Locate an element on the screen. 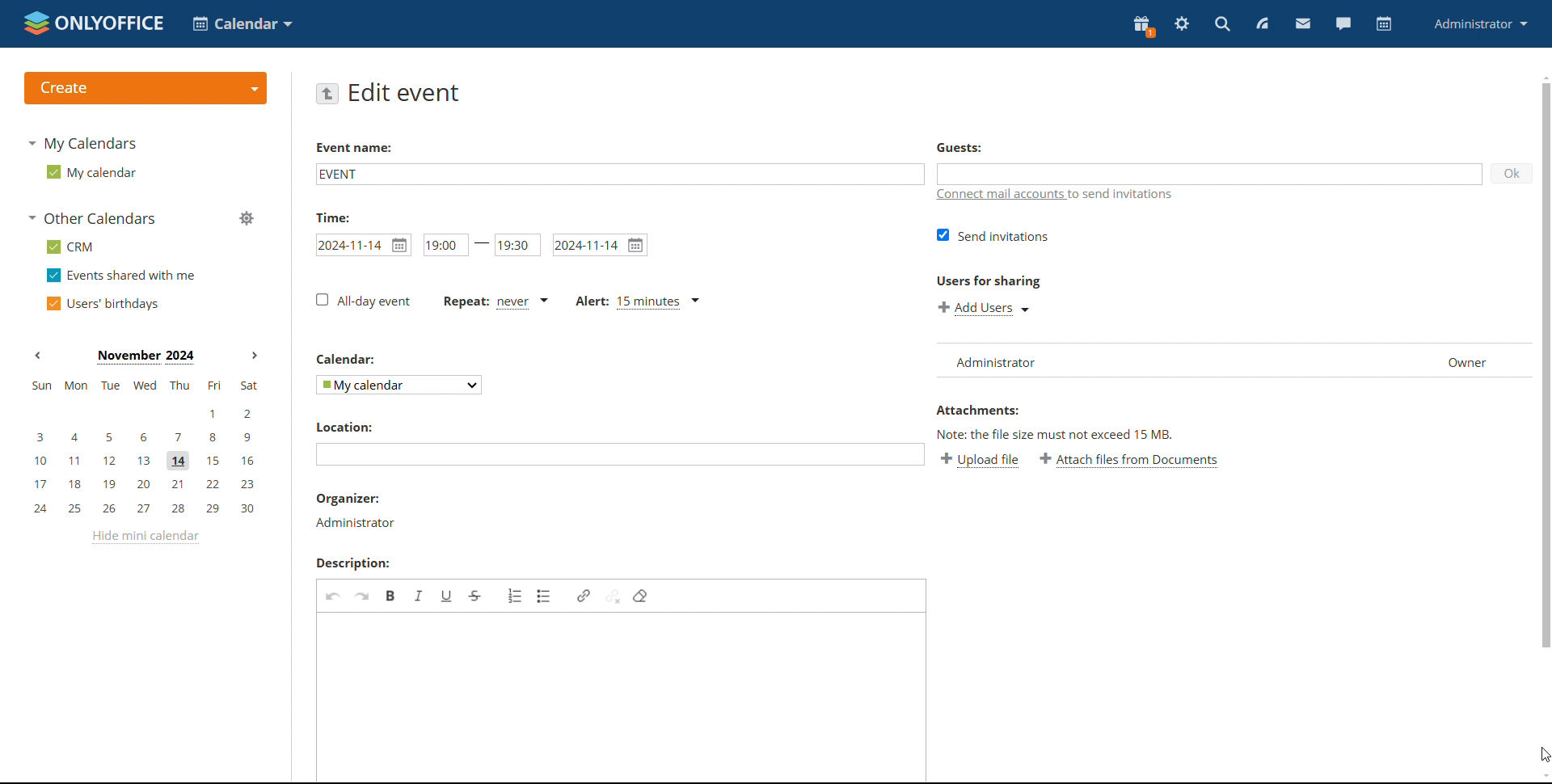 The image size is (1552, 784). events shared with me is located at coordinates (123, 276).